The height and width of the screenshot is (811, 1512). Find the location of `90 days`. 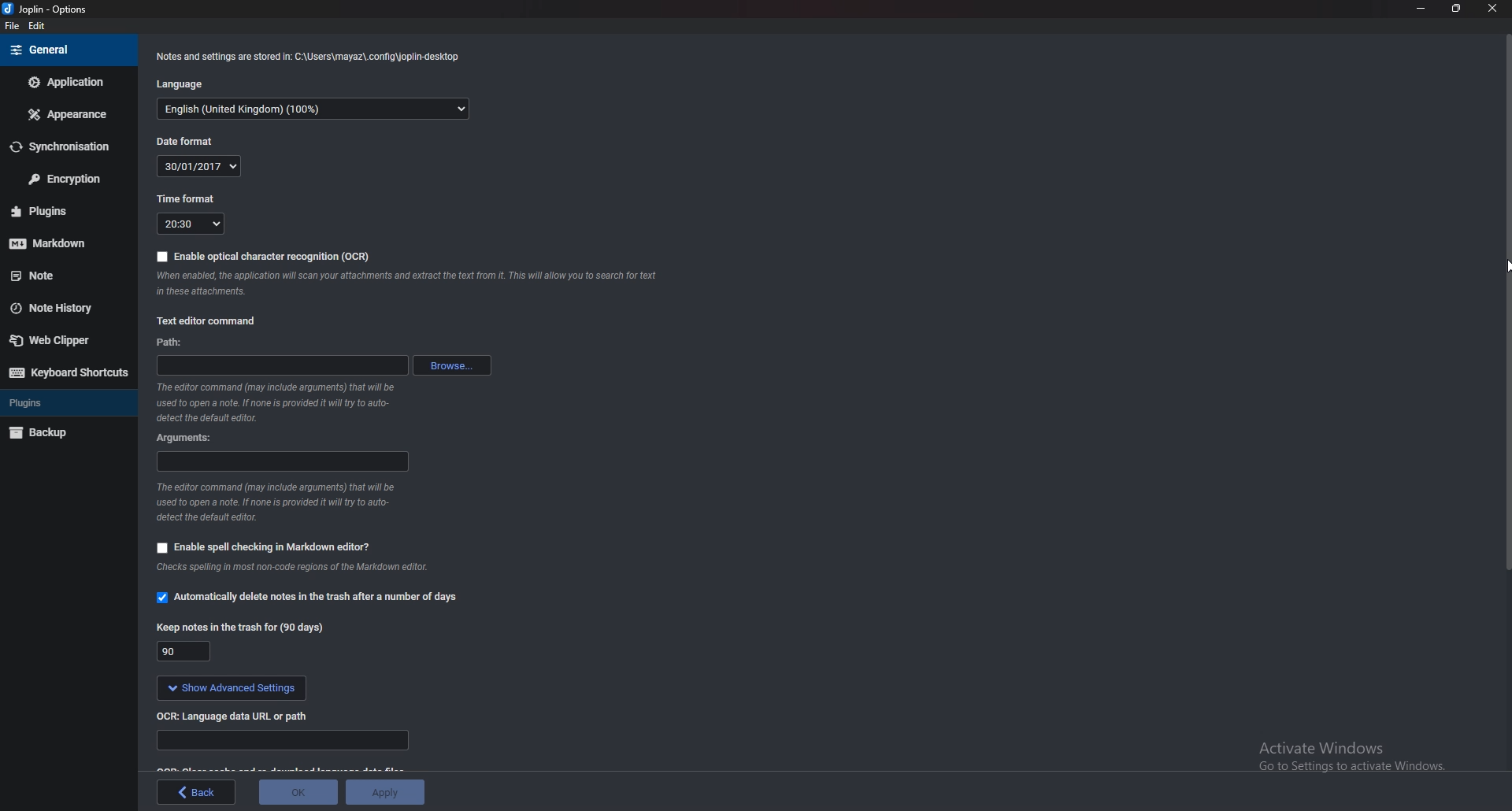

90 days is located at coordinates (183, 650).